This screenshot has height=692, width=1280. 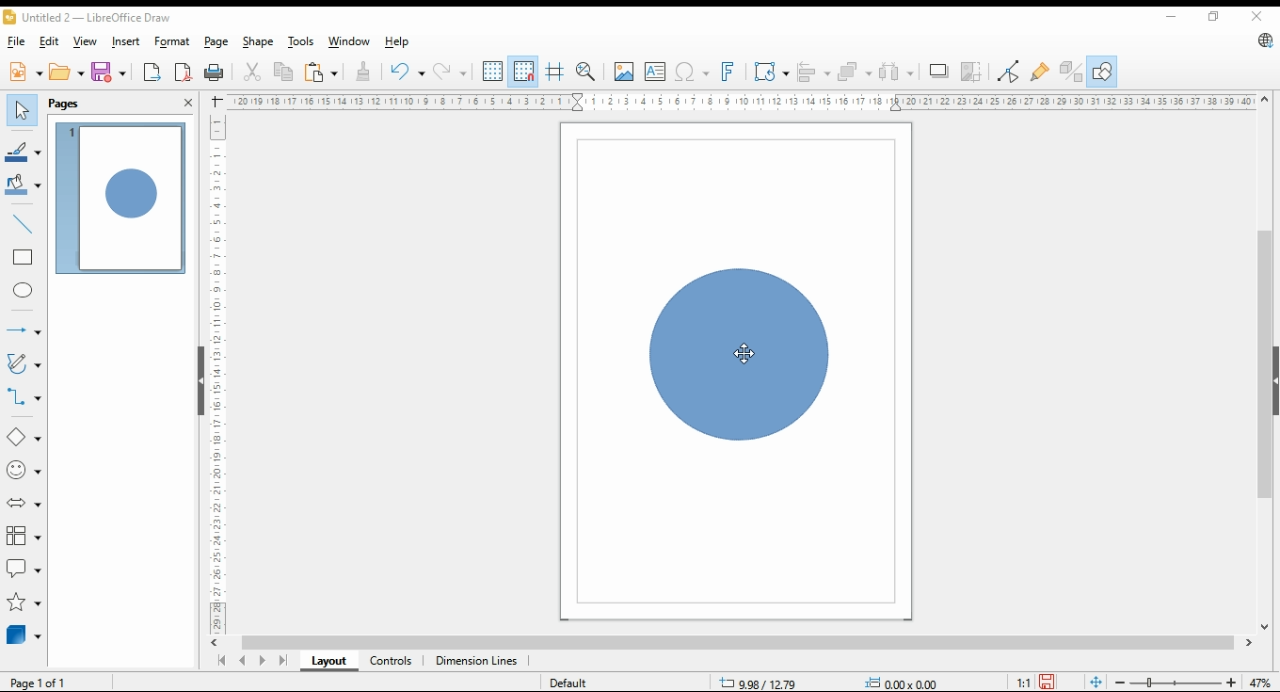 What do you see at coordinates (123, 199) in the screenshot?
I see `page 1` at bounding box center [123, 199].